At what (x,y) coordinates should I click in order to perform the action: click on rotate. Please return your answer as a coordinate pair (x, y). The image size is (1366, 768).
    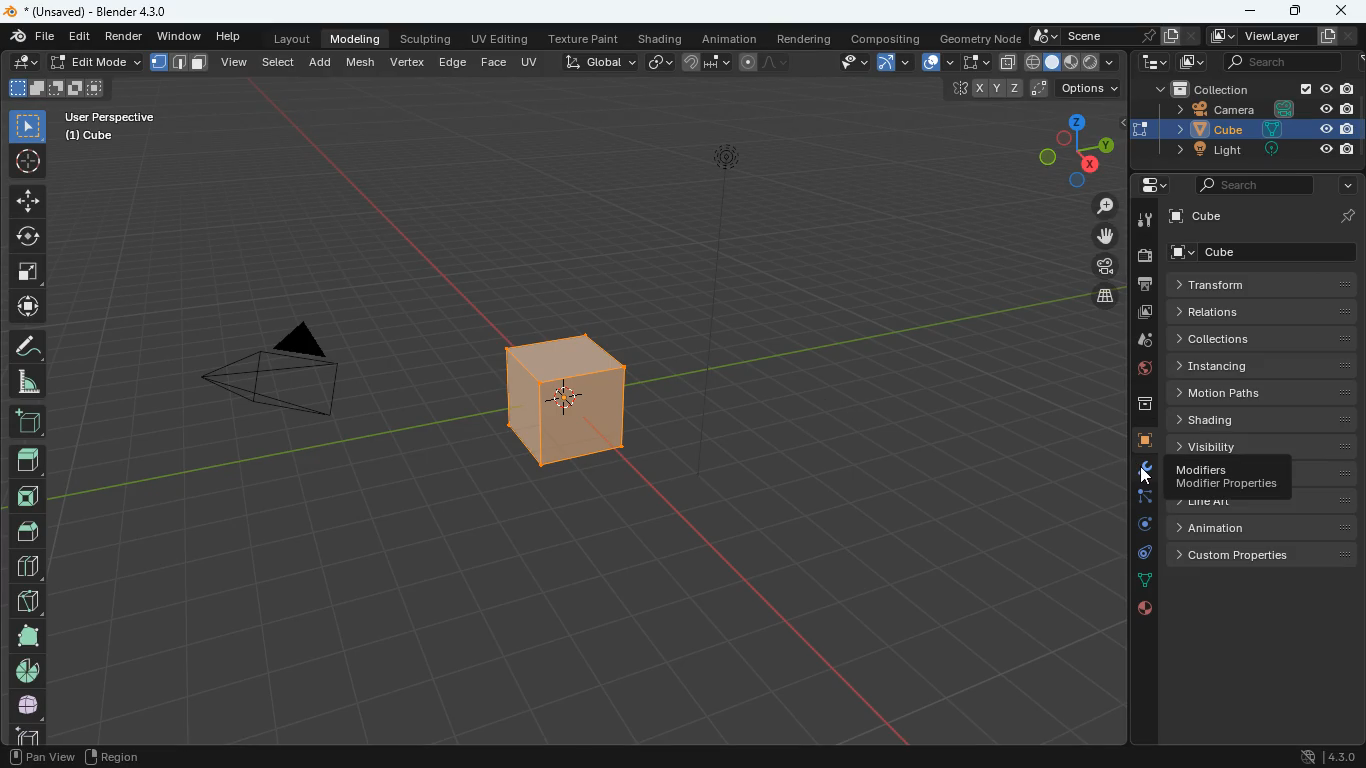
    Looking at the image, I should click on (26, 236).